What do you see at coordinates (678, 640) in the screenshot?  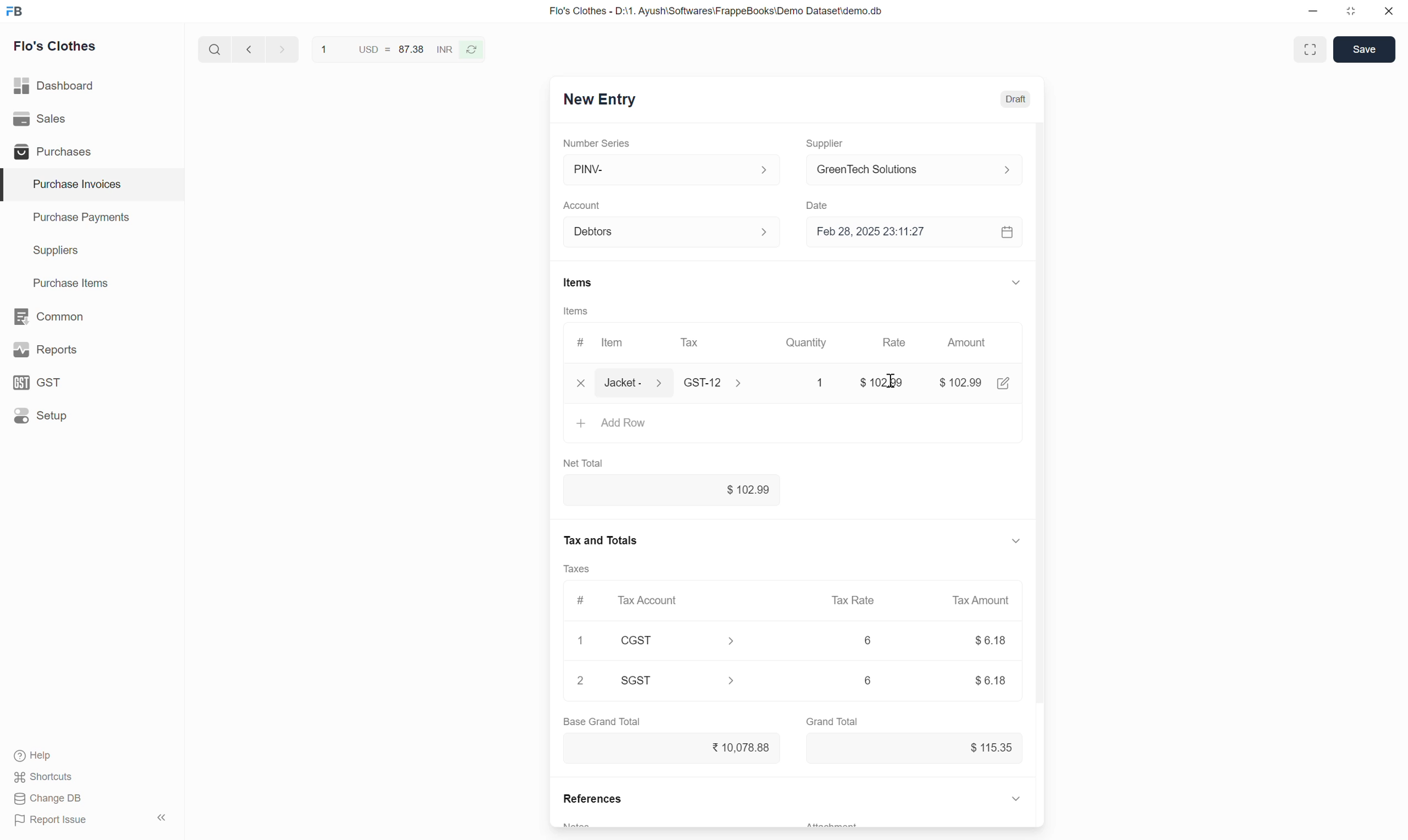 I see `CGST` at bounding box center [678, 640].